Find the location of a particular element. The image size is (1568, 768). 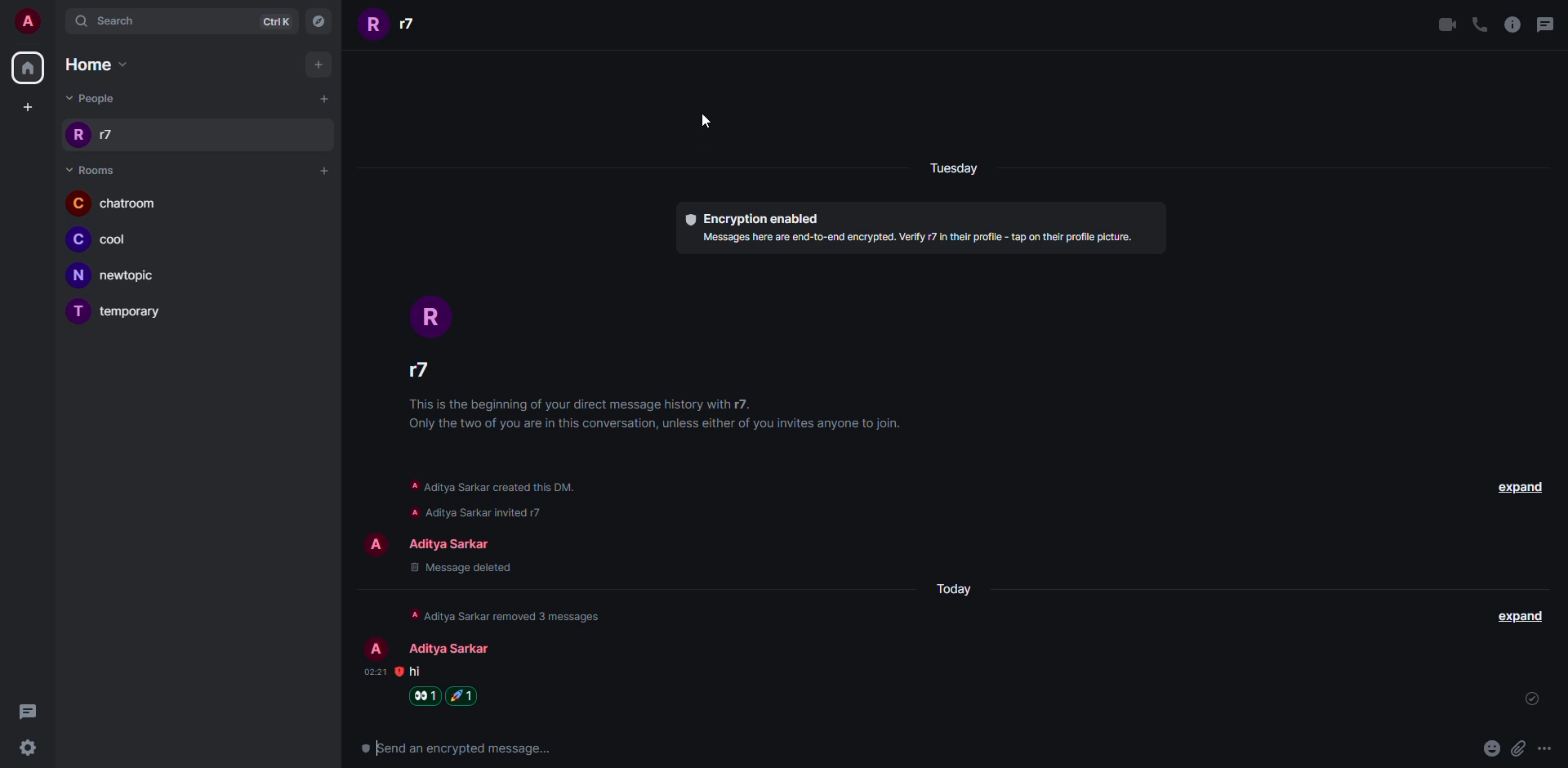

room is located at coordinates (114, 203).